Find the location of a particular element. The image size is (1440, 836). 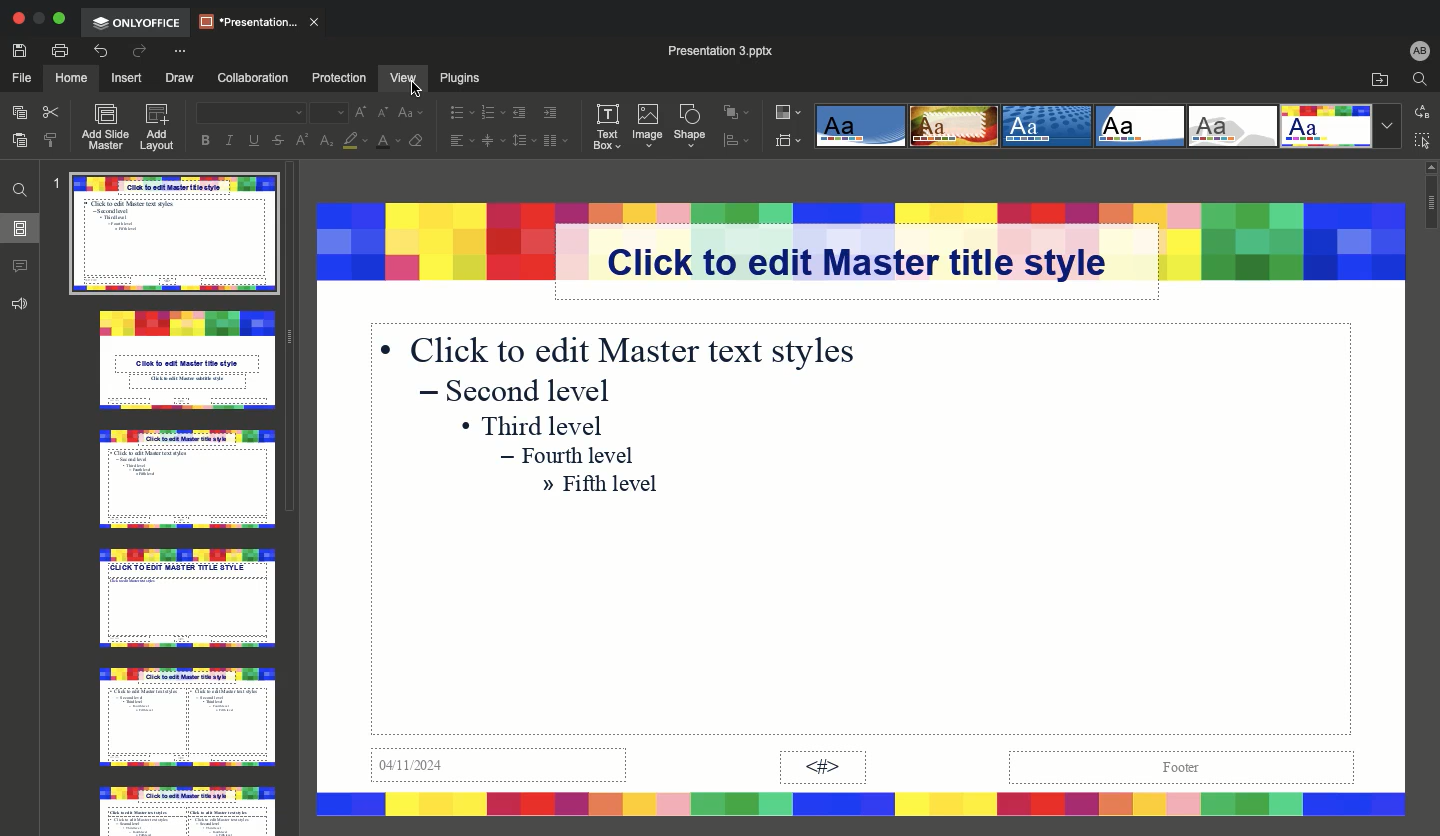

Layout master slide 4 is located at coordinates (187, 597).